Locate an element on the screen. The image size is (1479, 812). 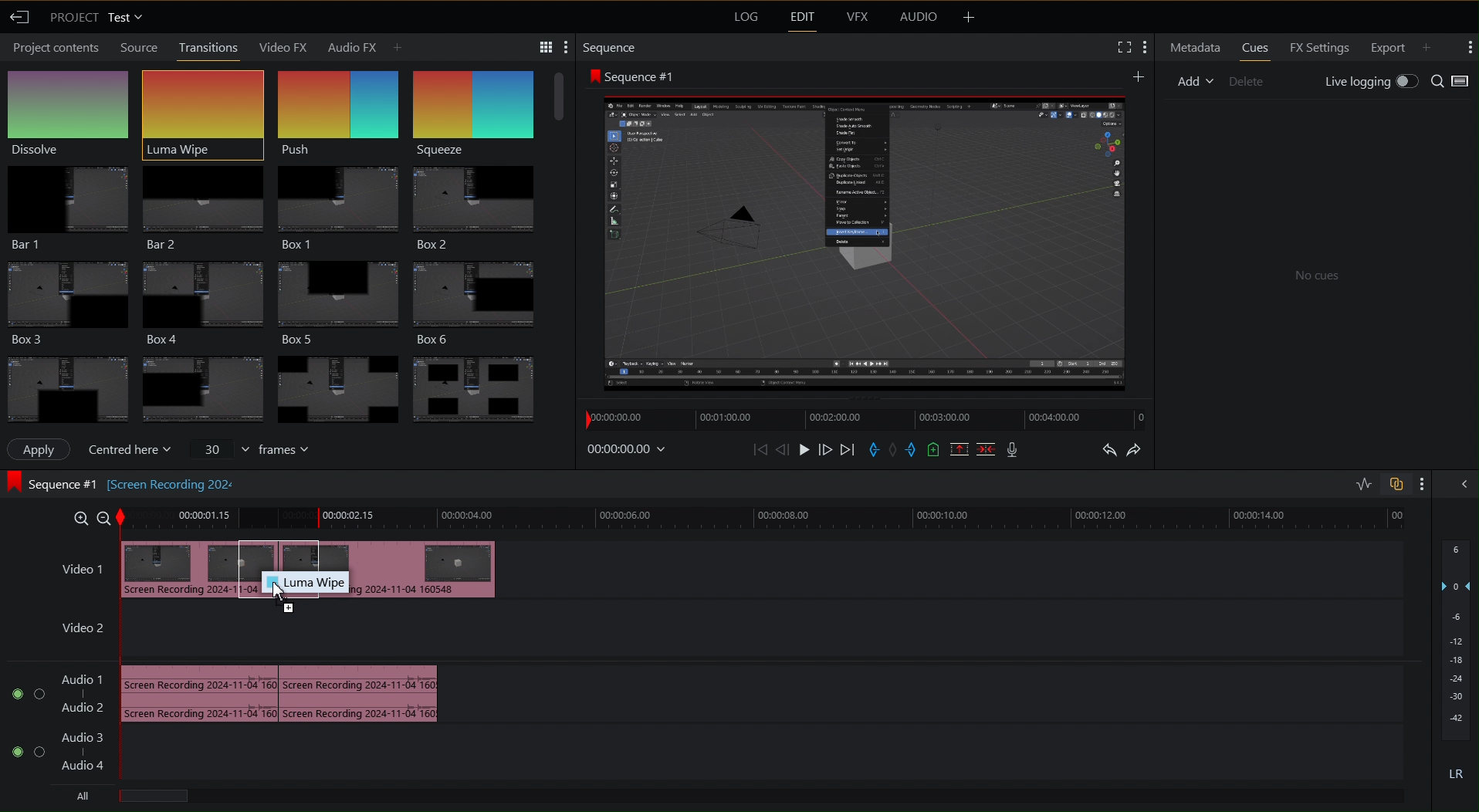
Push is located at coordinates (339, 107).